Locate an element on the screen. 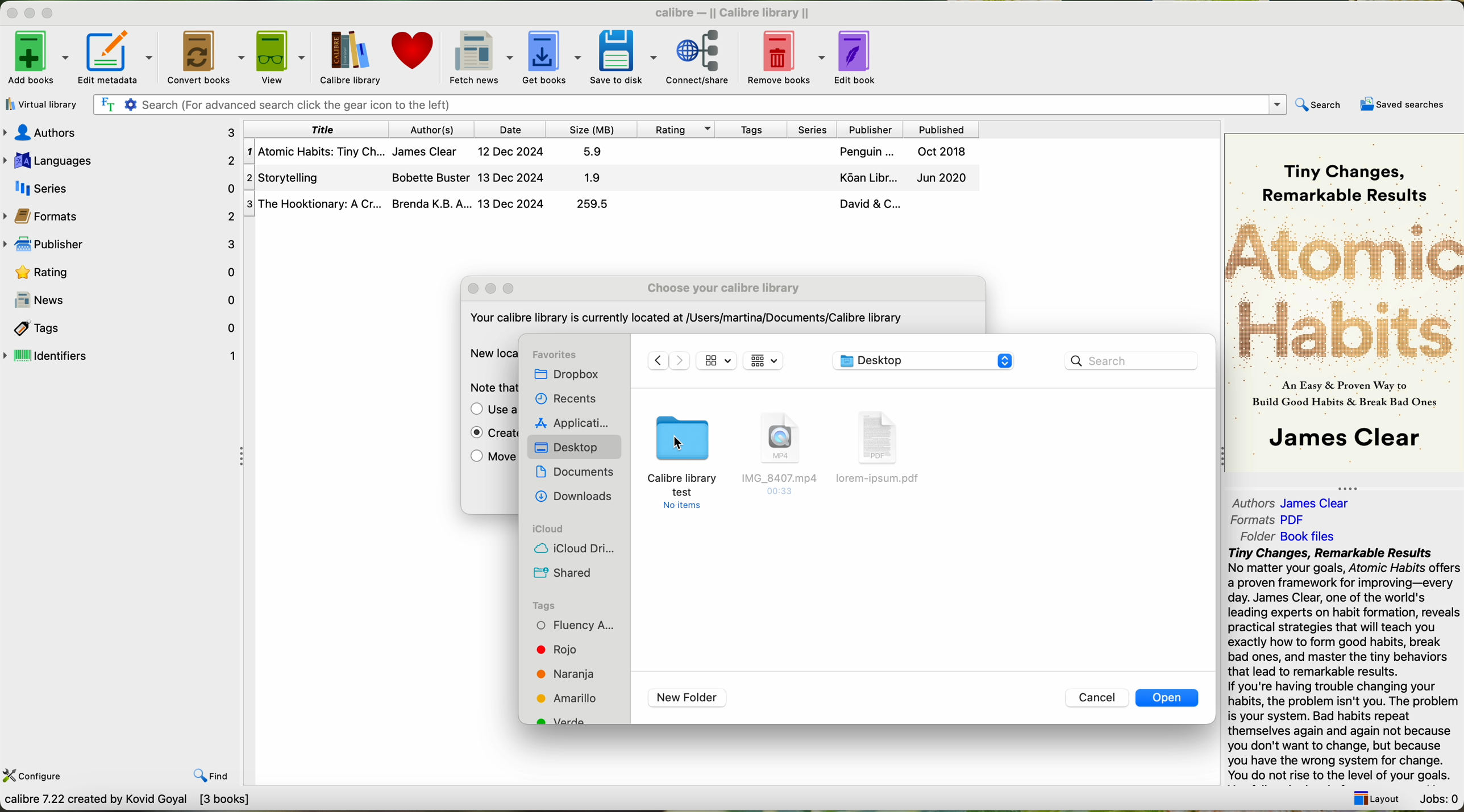 The height and width of the screenshot is (812, 1464). close program is located at coordinates (10, 13).